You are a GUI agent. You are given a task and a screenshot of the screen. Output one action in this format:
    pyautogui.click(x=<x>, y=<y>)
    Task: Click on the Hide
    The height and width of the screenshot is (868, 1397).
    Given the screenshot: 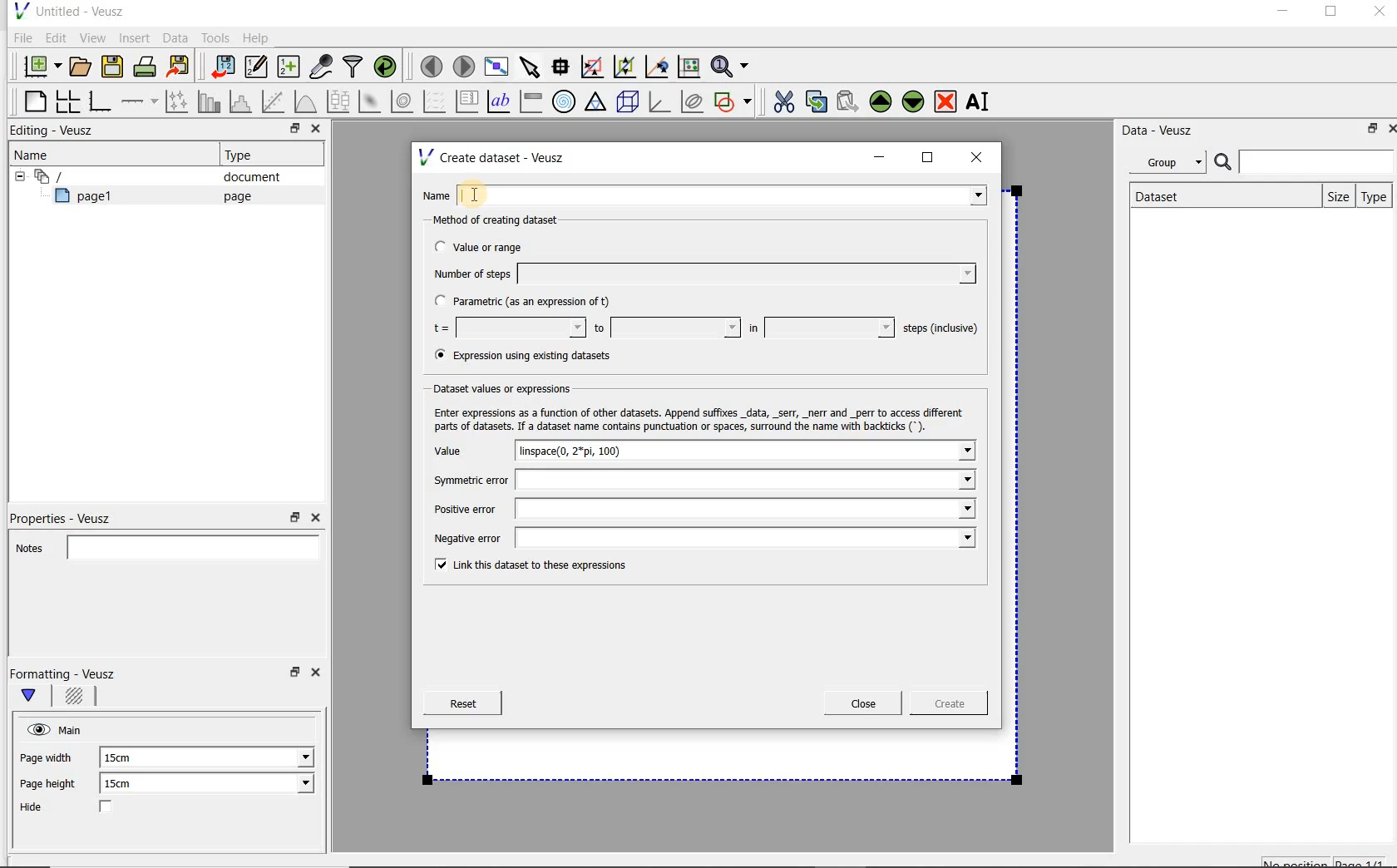 What is the action you would take?
    pyautogui.click(x=82, y=808)
    